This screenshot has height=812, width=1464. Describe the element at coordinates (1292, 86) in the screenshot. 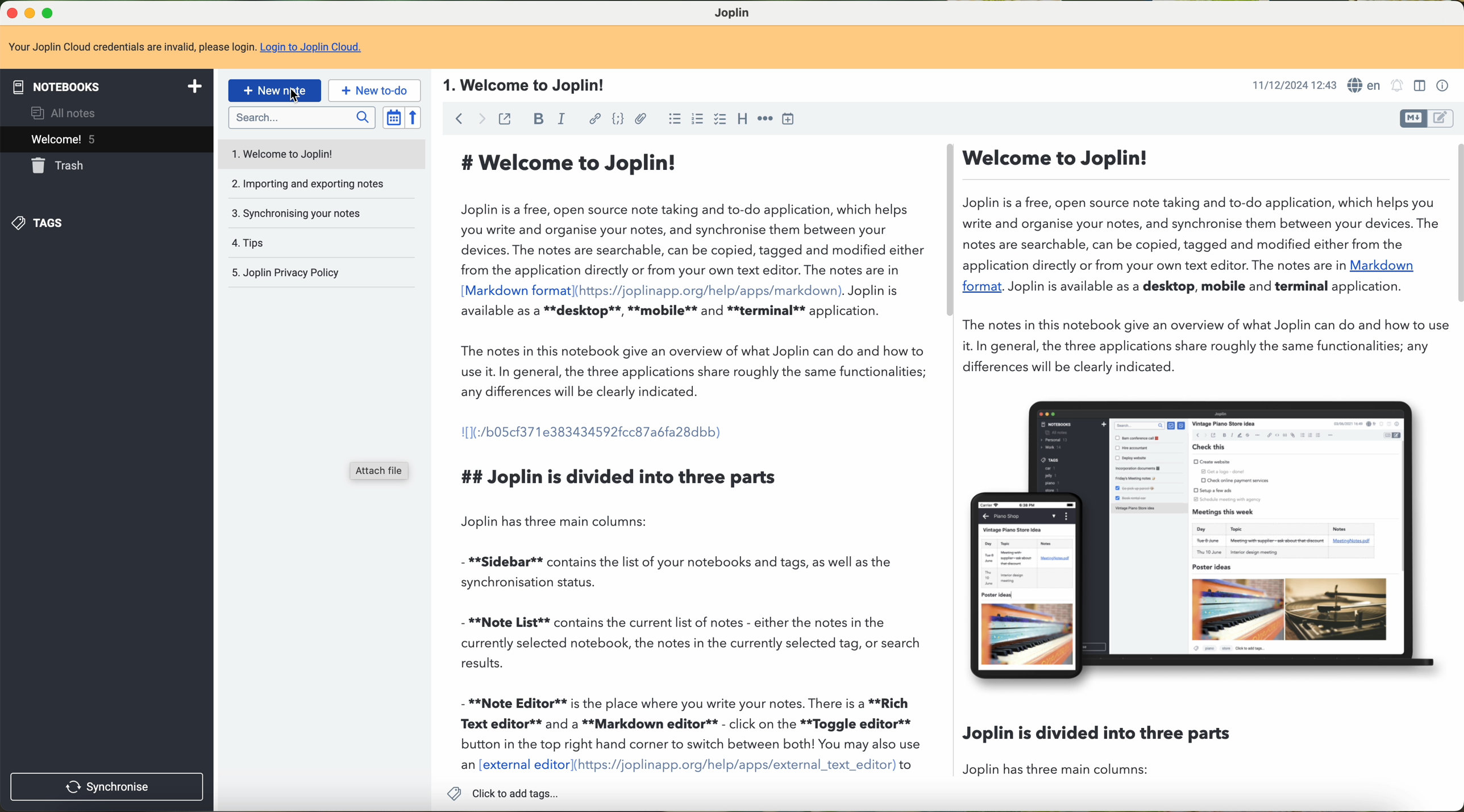

I see `date and hour` at that location.